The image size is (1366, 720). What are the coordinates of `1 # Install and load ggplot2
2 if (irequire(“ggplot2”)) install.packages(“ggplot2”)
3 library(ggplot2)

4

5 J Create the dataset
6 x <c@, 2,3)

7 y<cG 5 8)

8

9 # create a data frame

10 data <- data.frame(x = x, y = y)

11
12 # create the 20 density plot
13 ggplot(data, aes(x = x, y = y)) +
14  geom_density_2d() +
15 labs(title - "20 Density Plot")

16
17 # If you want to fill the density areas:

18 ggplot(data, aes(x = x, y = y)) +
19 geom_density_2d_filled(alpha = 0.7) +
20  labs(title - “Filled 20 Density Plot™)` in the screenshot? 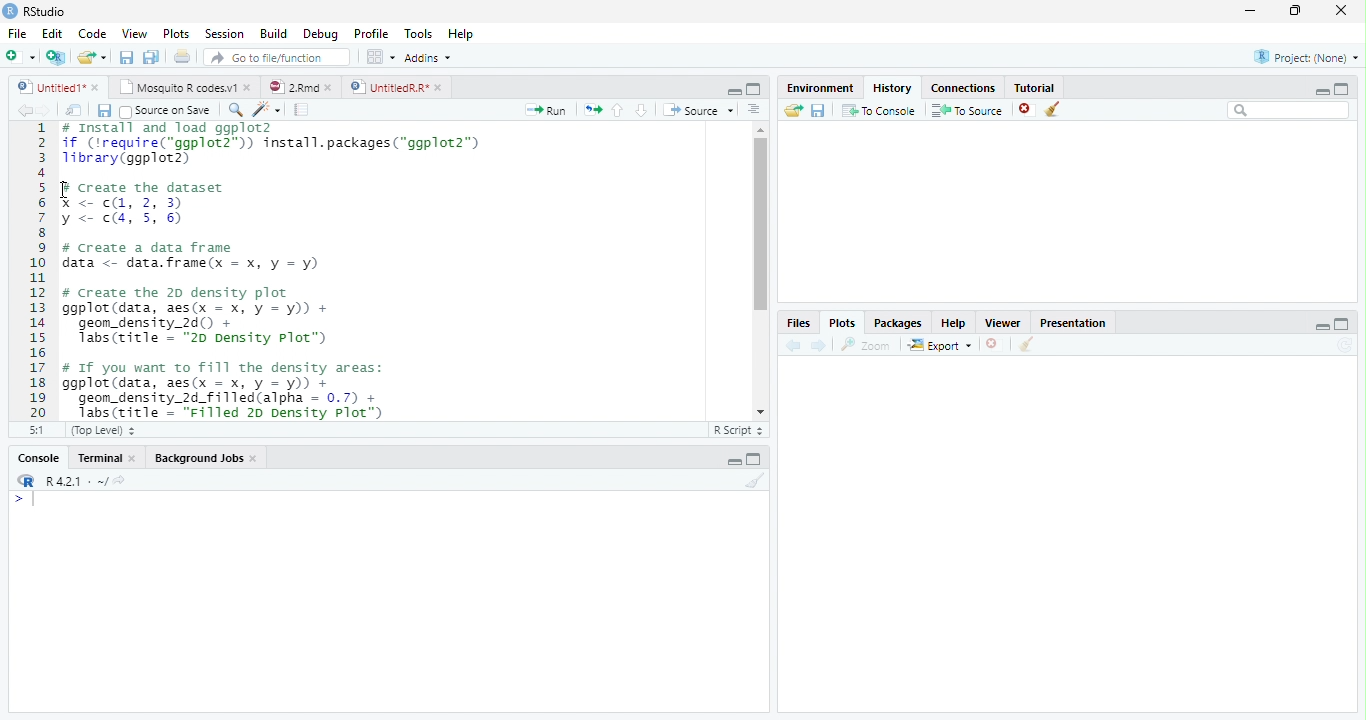 It's located at (361, 269).